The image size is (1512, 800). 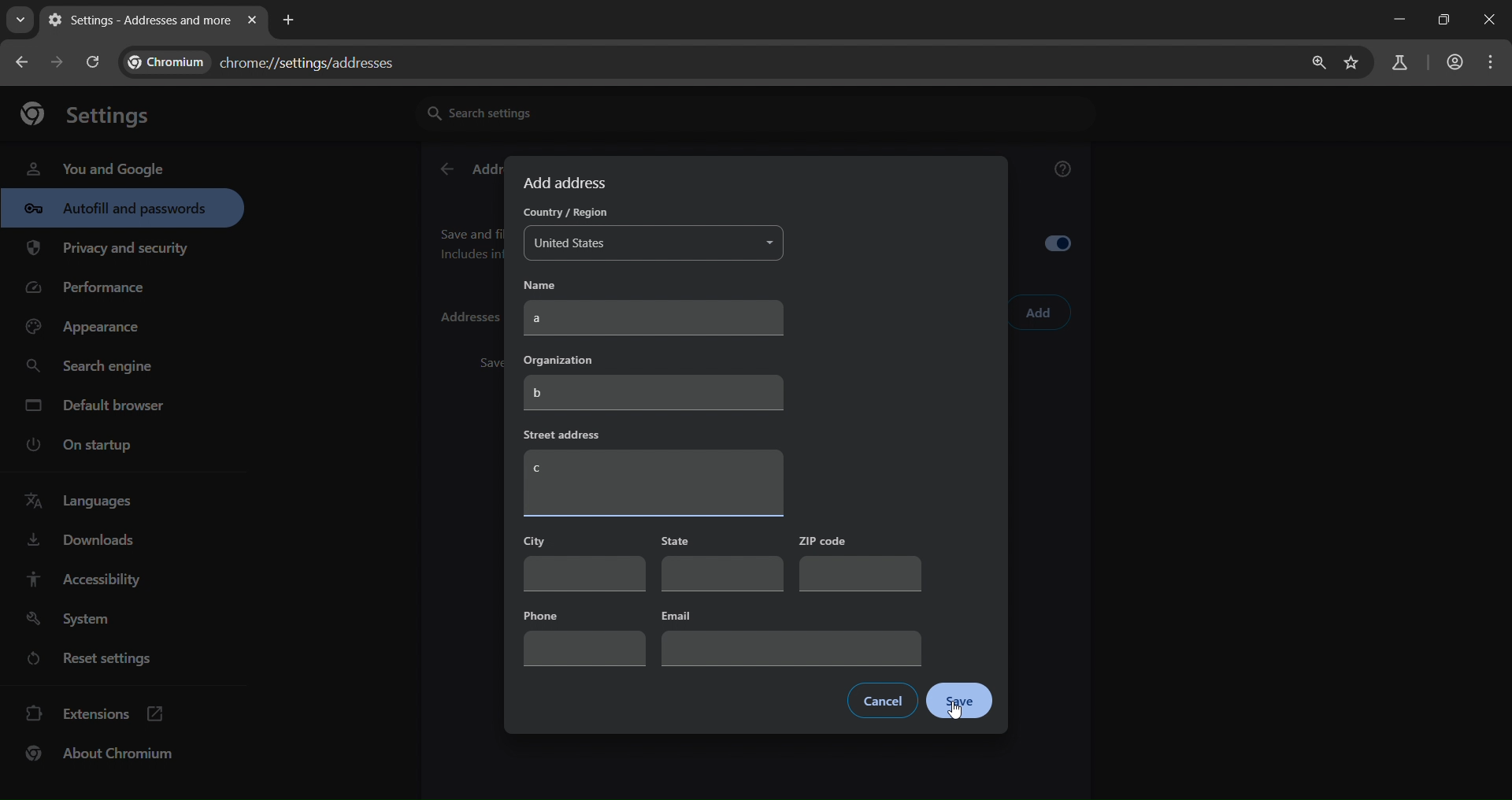 I want to click on go back one page, so click(x=24, y=61).